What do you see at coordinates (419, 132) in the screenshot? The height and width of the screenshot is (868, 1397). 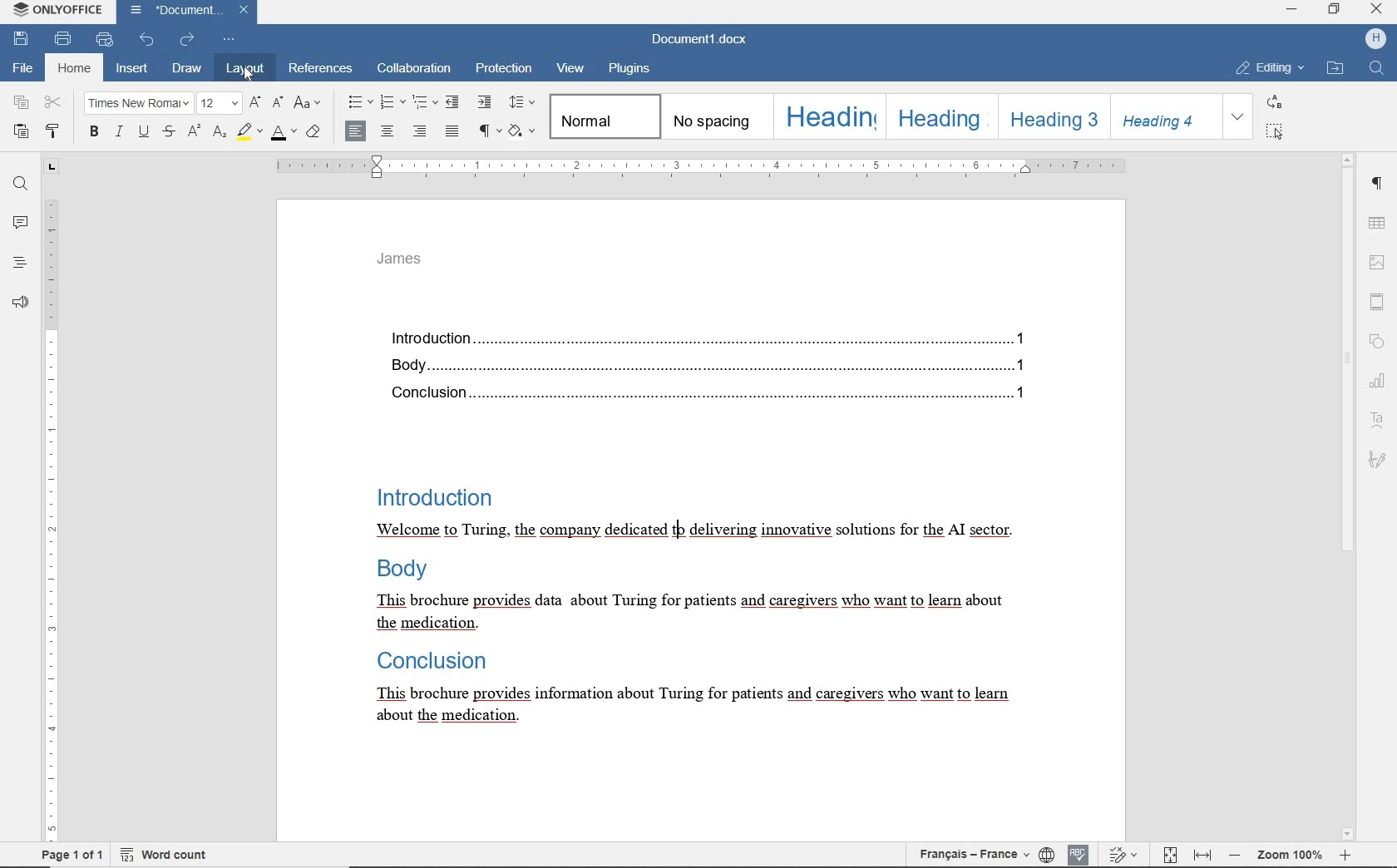 I see `align right` at bounding box center [419, 132].